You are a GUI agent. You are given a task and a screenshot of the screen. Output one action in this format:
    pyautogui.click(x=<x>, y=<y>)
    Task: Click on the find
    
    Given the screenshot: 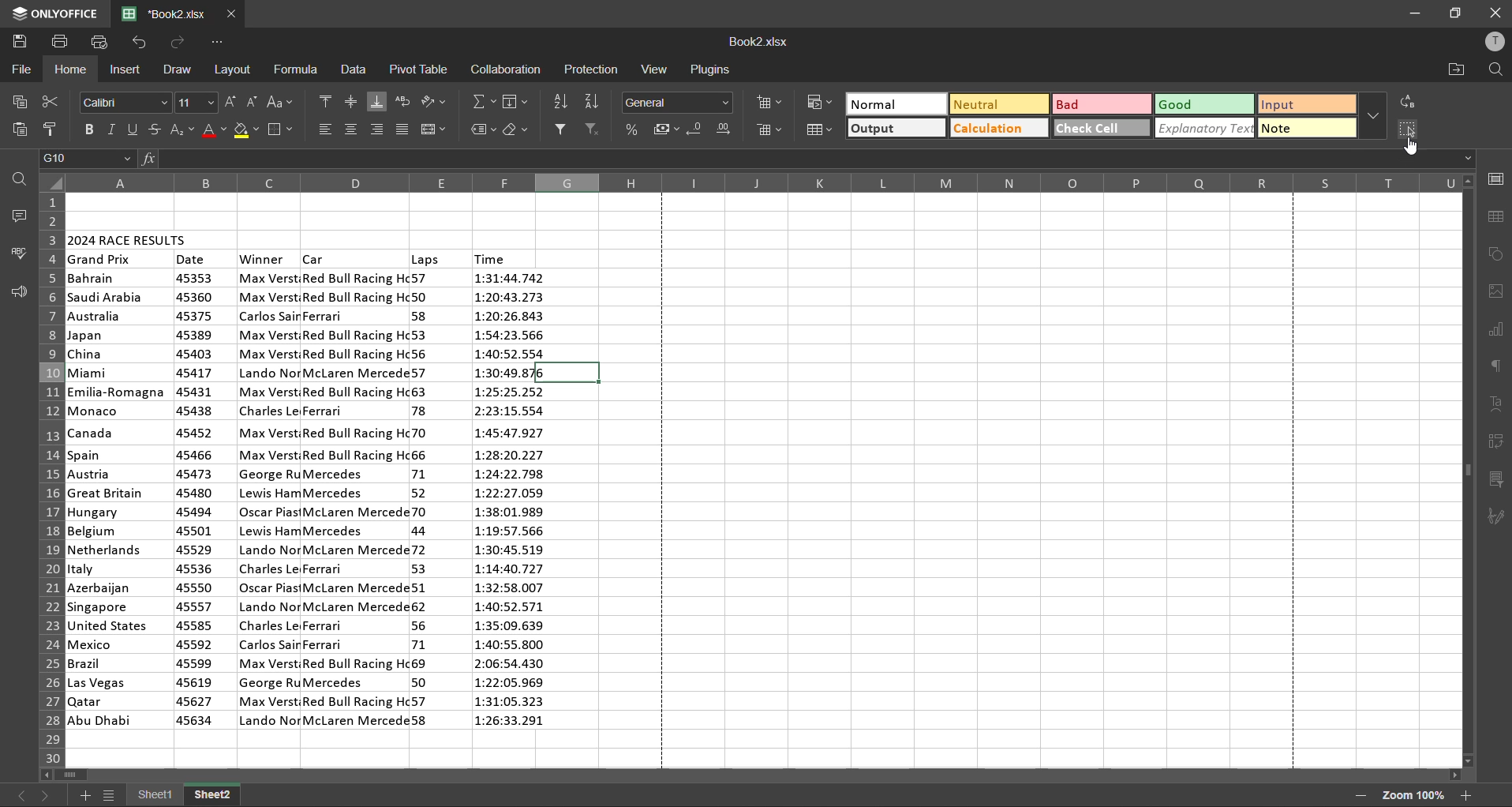 What is the action you would take?
    pyautogui.click(x=1491, y=69)
    